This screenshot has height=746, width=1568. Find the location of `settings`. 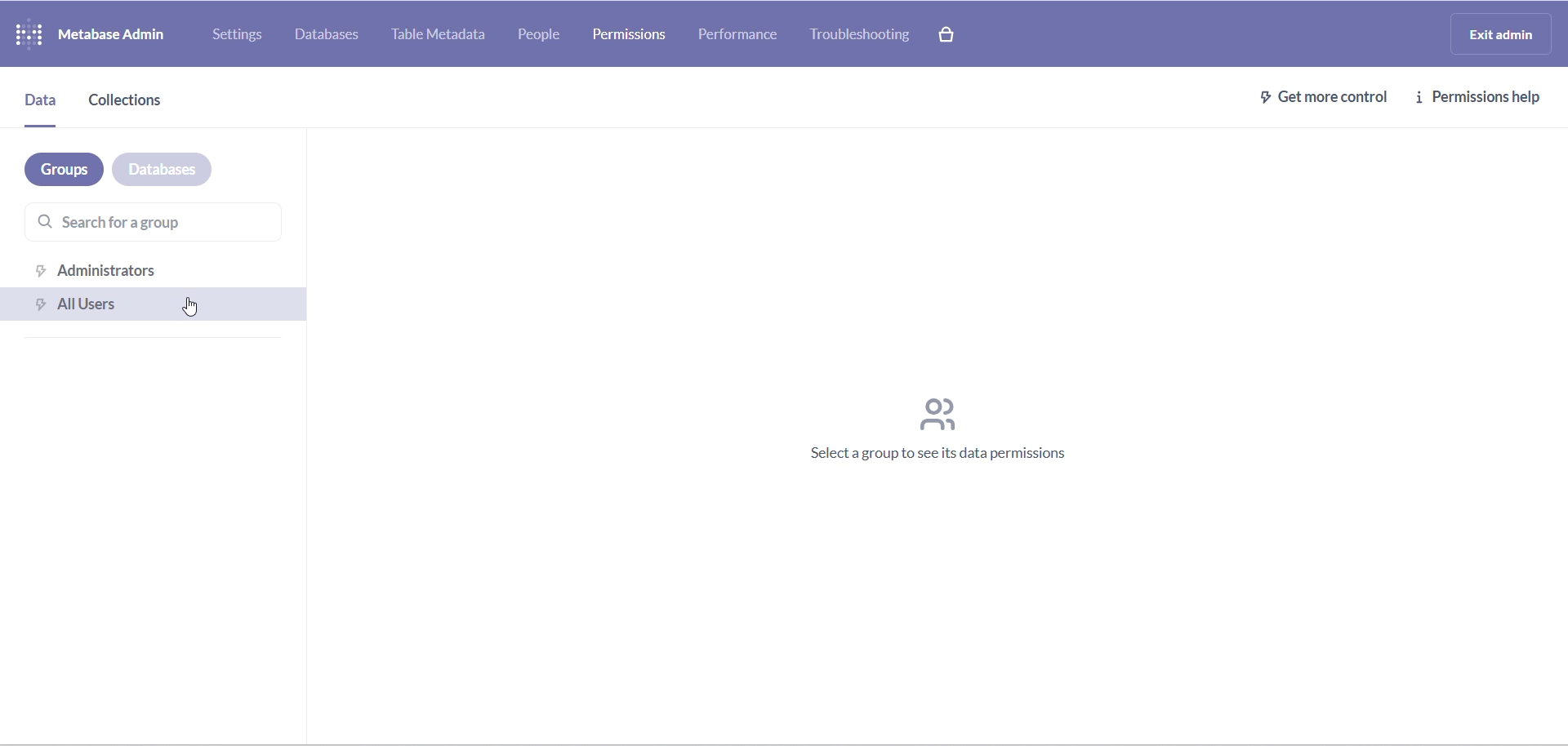

settings is located at coordinates (239, 34).